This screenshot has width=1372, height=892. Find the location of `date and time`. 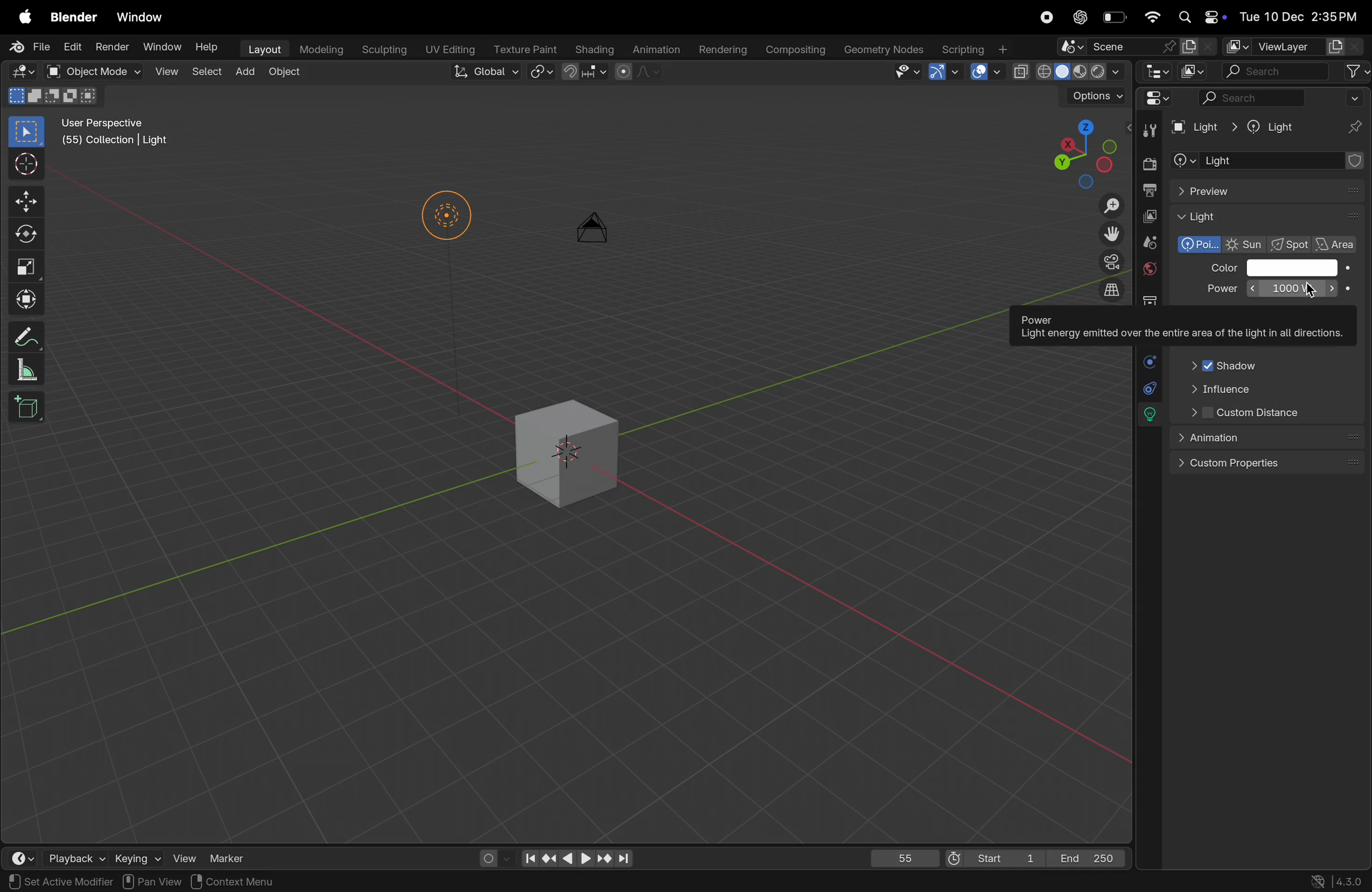

date and time is located at coordinates (1304, 19).